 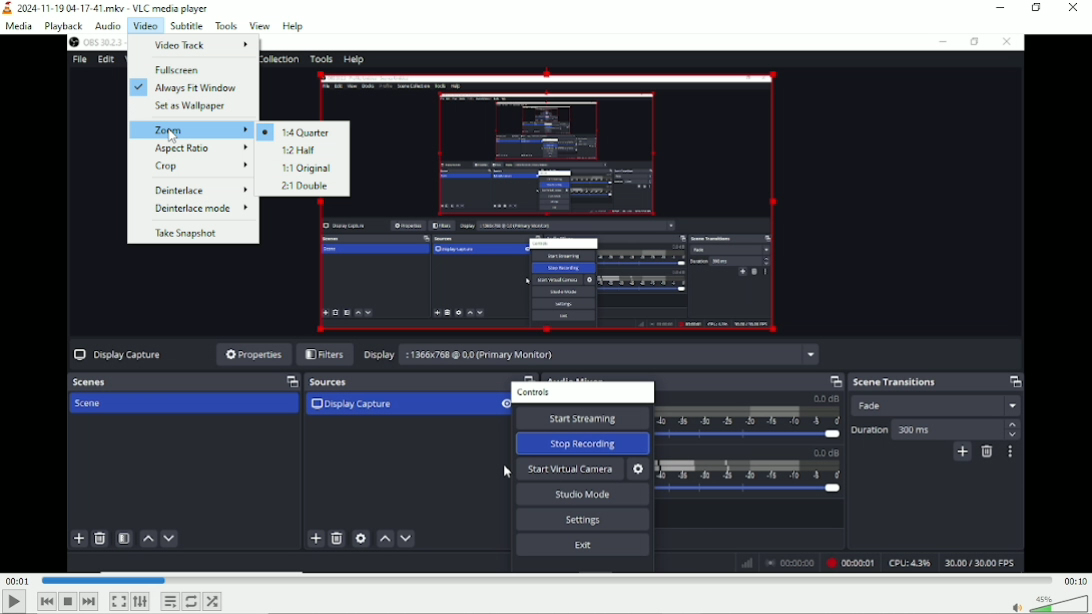 What do you see at coordinates (292, 26) in the screenshot?
I see `help` at bounding box center [292, 26].